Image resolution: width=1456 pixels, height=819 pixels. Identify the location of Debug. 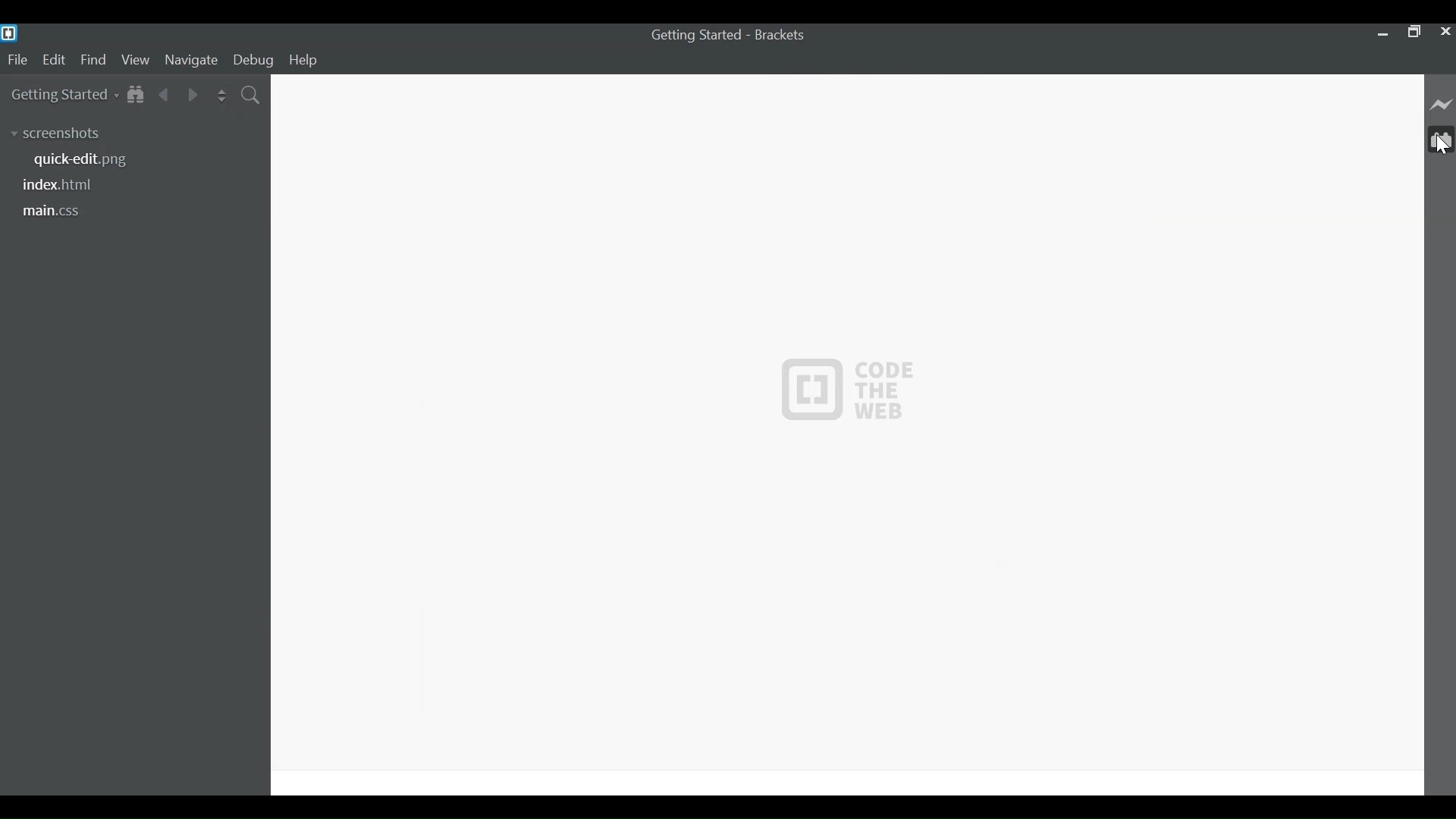
(256, 61).